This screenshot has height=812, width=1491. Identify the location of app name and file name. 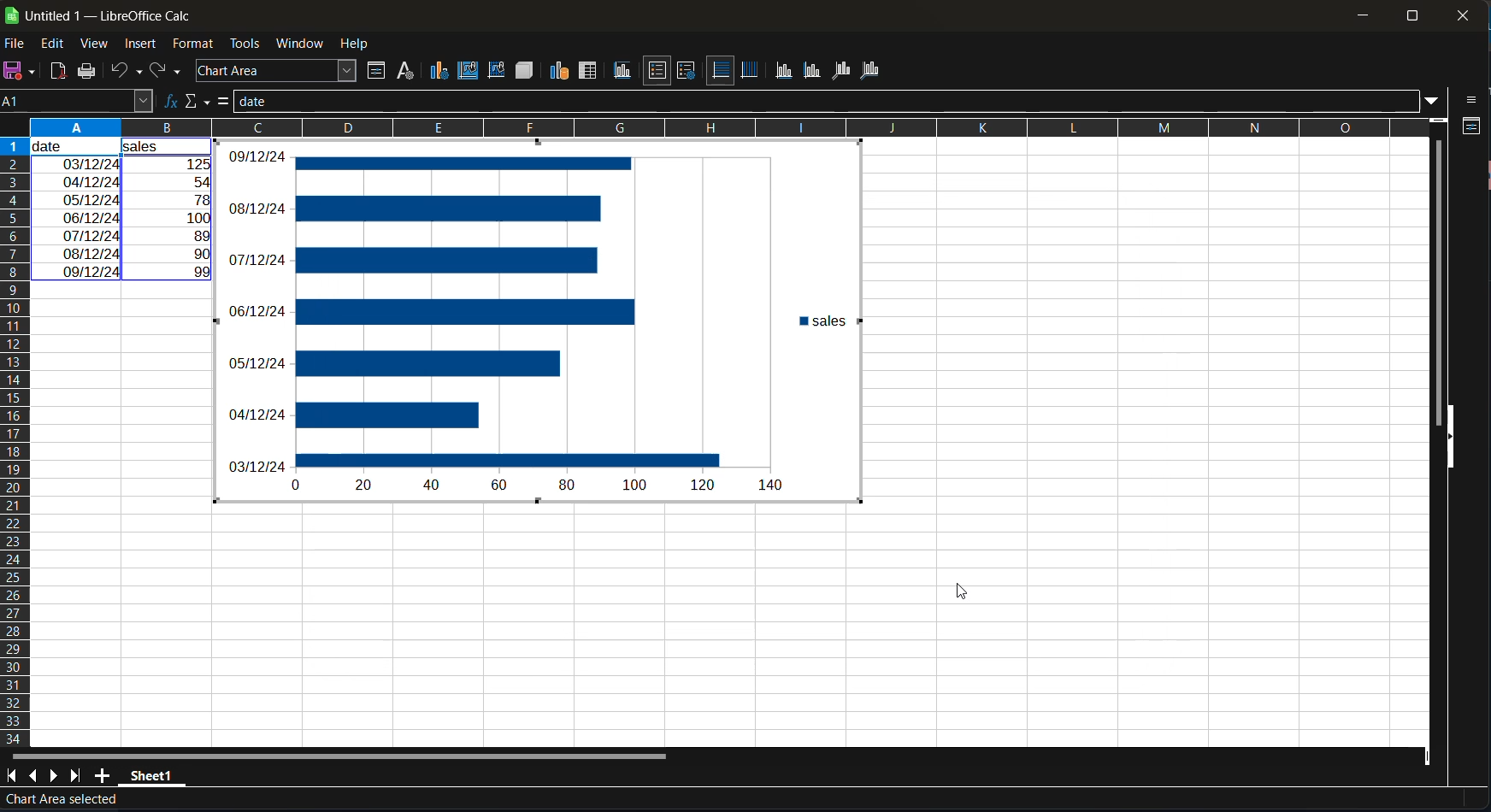
(100, 13).